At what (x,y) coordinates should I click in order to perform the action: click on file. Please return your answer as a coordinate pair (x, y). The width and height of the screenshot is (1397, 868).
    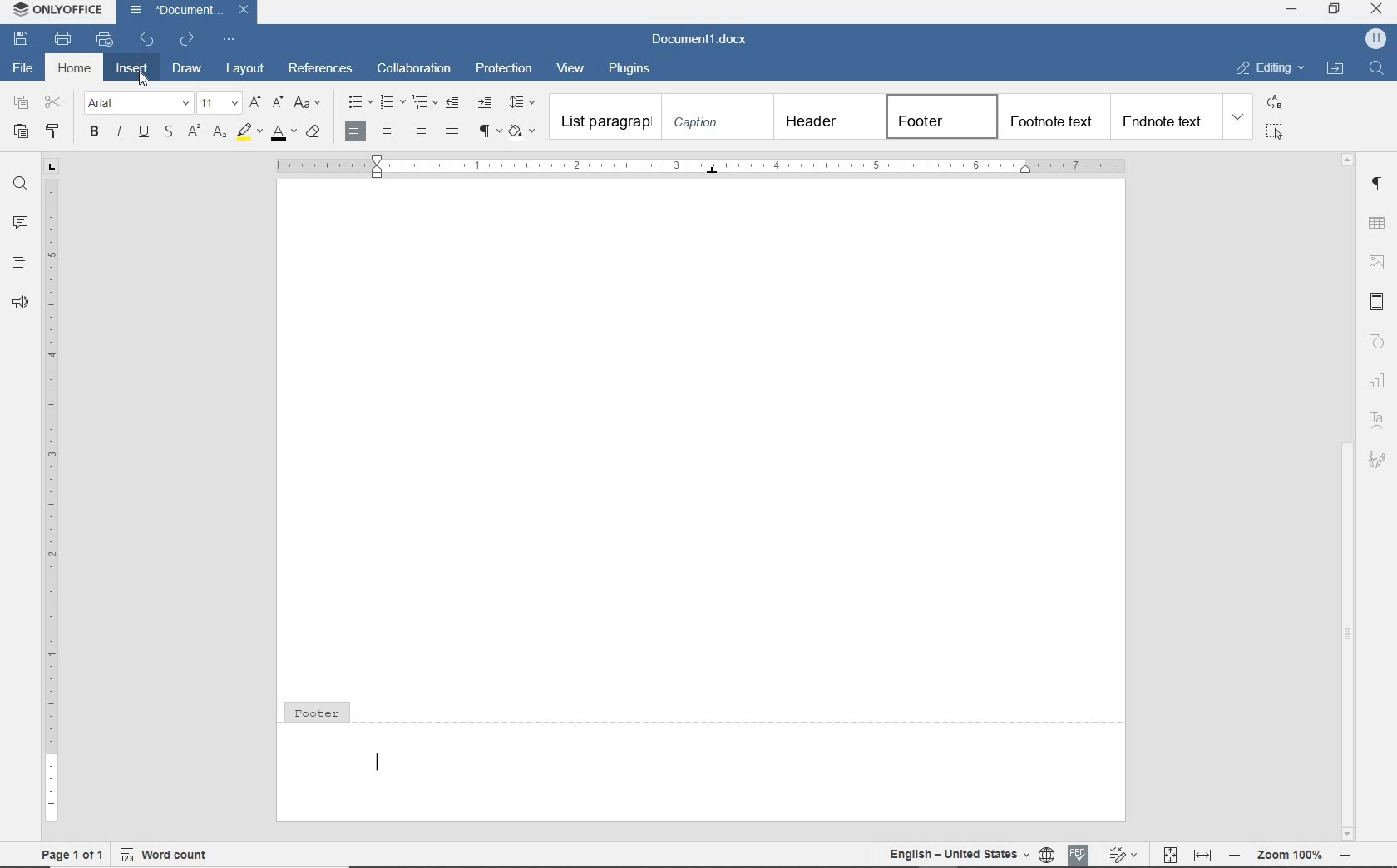
    Looking at the image, I should click on (24, 69).